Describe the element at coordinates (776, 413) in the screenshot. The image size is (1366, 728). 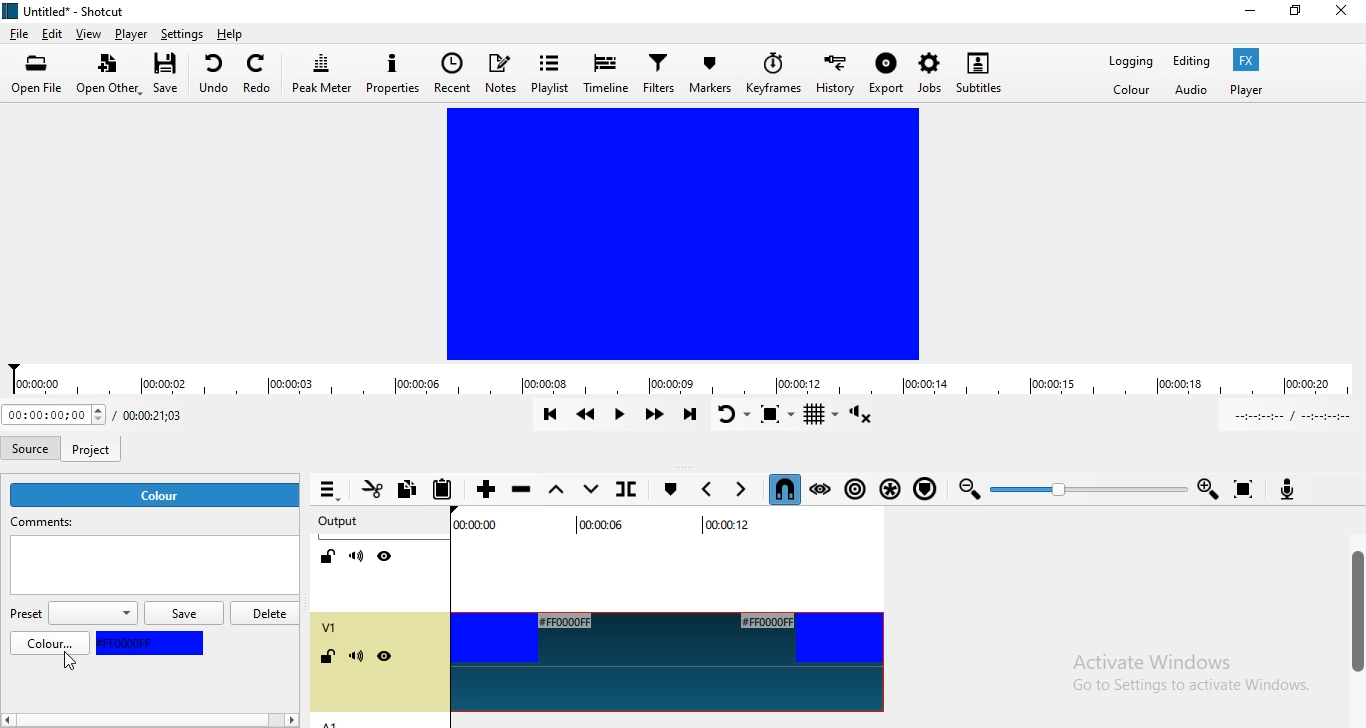
I see `Toggle zoom` at that location.